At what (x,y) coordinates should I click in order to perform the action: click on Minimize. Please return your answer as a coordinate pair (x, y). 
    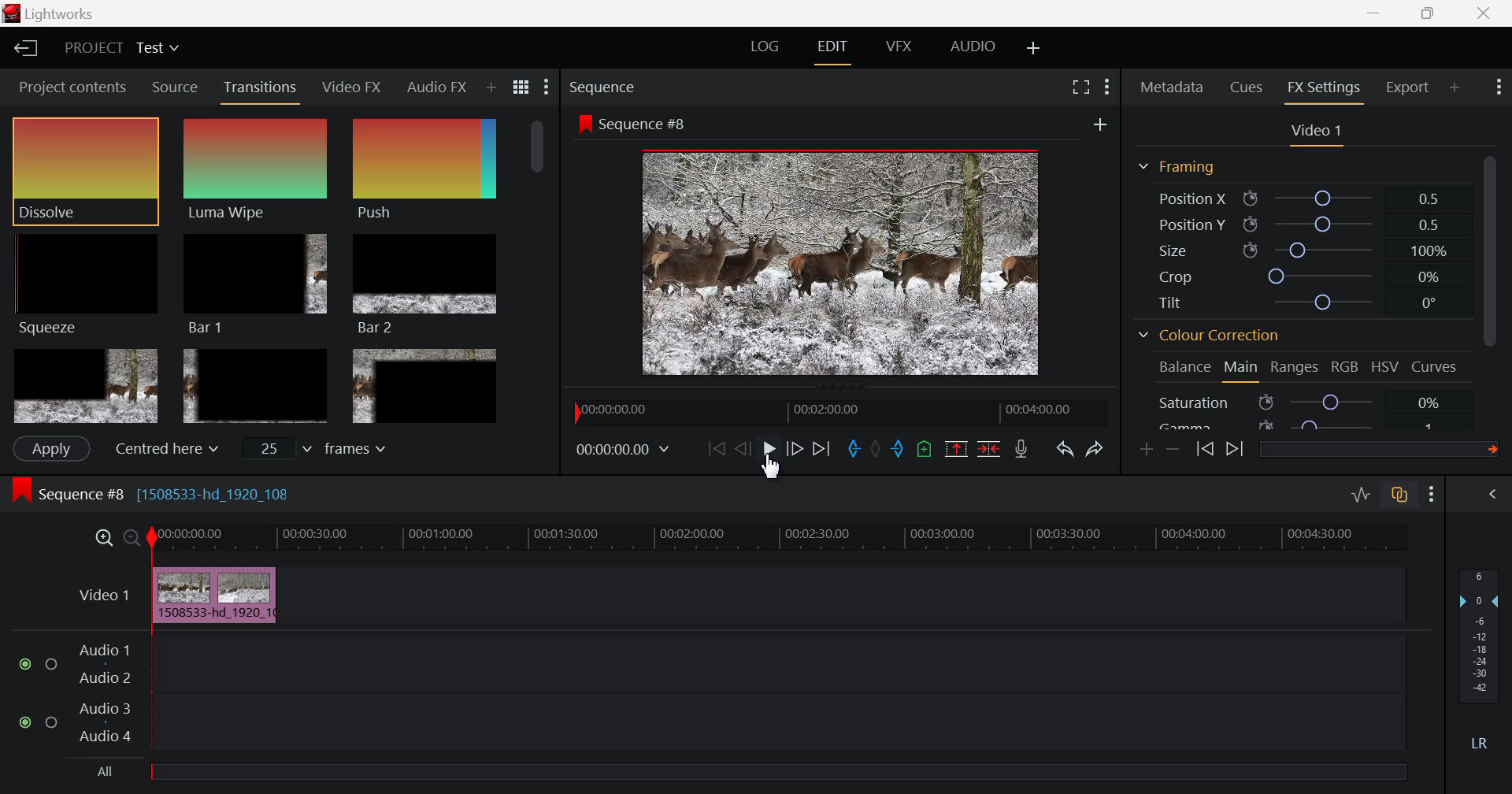
    Looking at the image, I should click on (1435, 13).